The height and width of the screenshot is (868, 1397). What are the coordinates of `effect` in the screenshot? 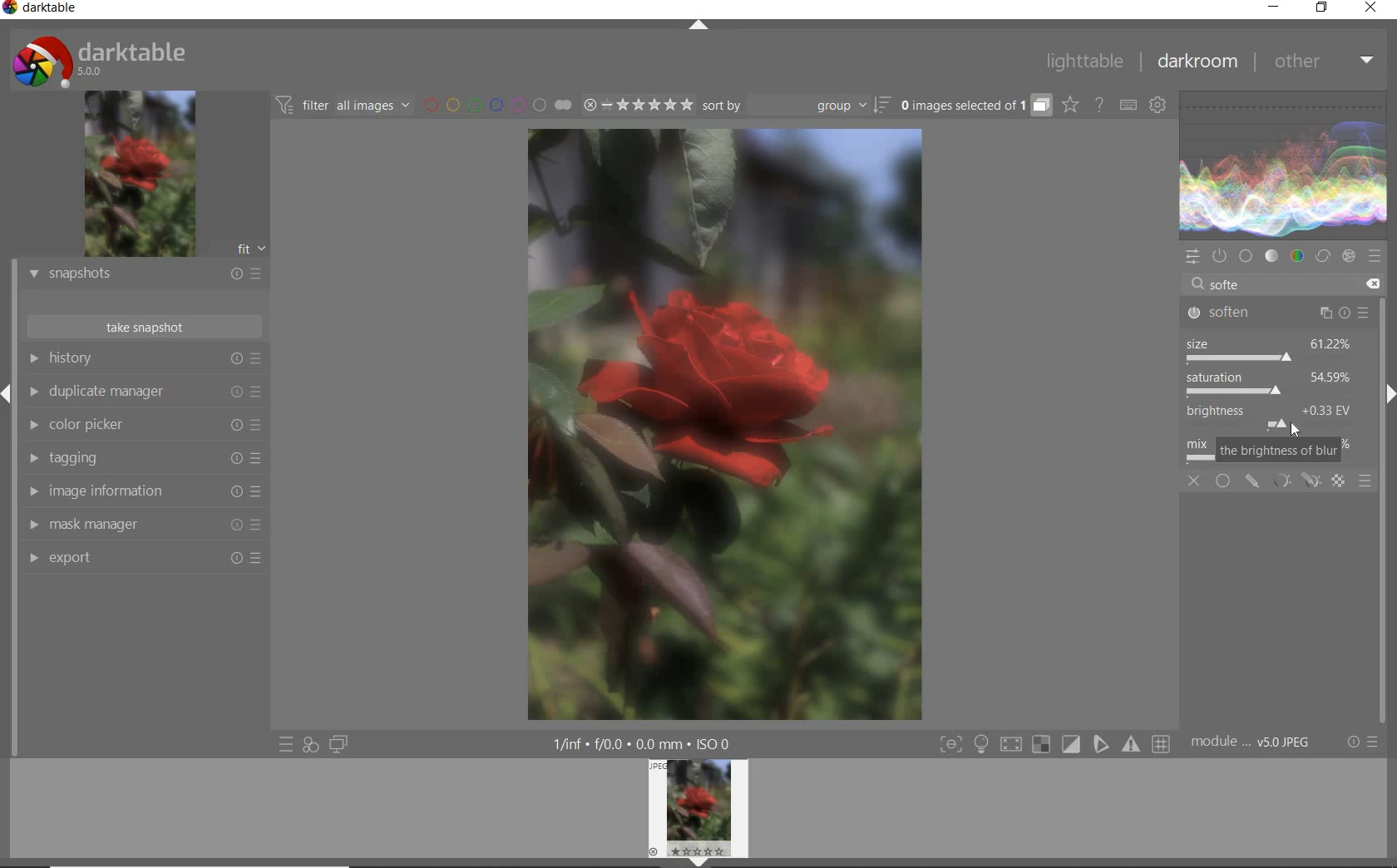 It's located at (1348, 257).